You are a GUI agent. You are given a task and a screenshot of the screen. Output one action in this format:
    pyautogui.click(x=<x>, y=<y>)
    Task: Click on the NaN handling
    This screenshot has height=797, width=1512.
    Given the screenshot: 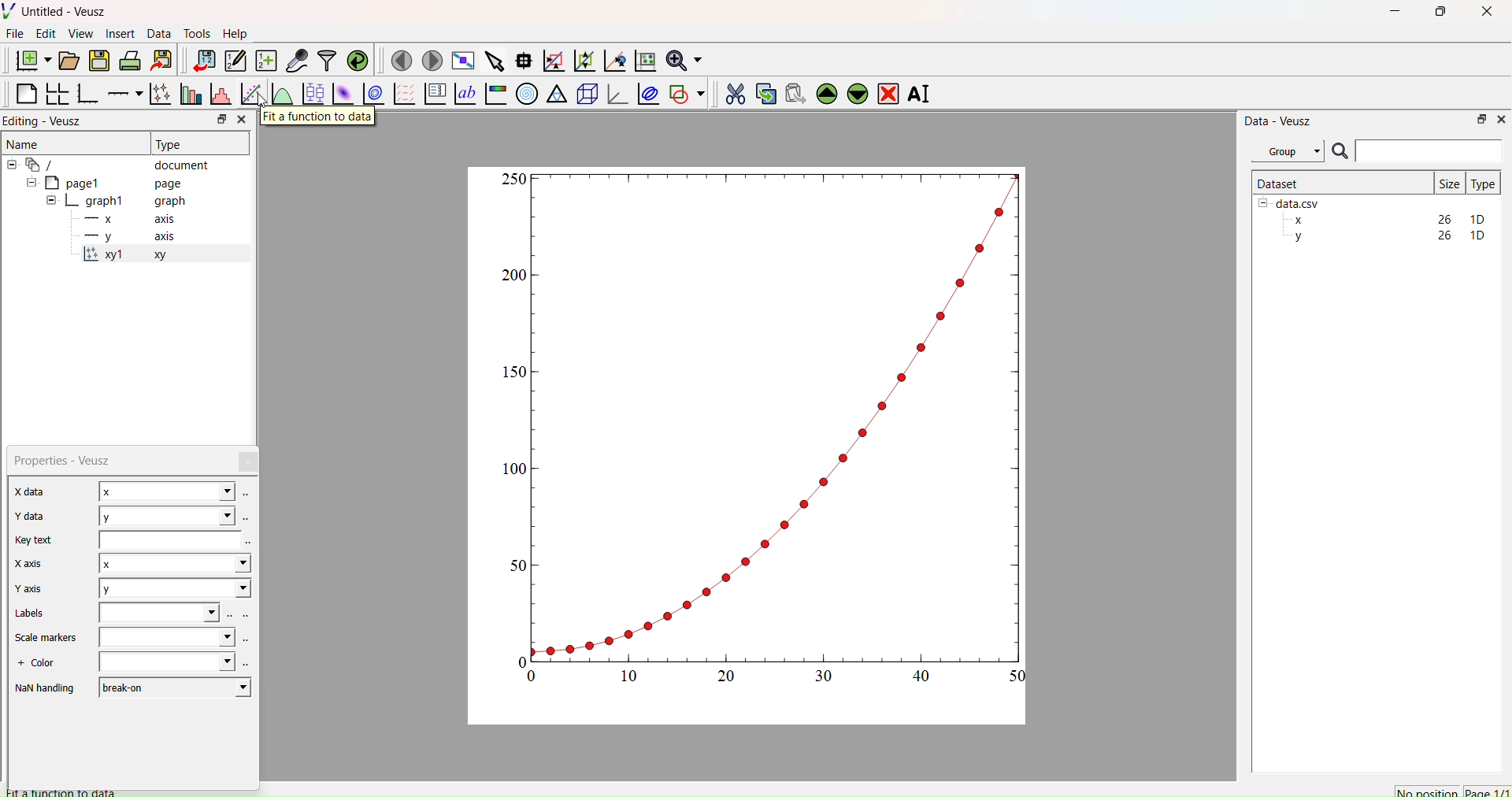 What is the action you would take?
    pyautogui.click(x=45, y=688)
    